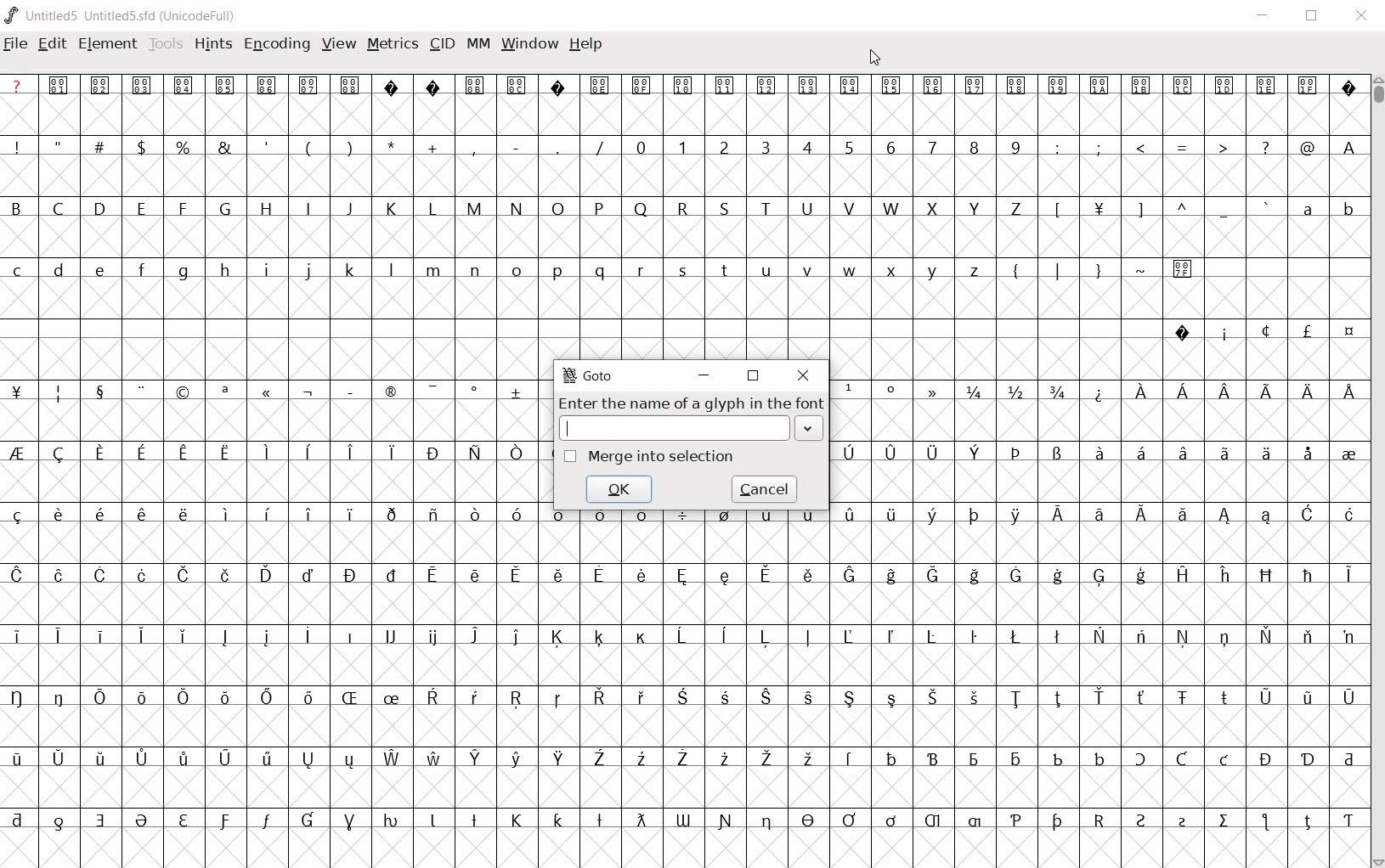 This screenshot has width=1385, height=868. I want to click on D, so click(99, 207).